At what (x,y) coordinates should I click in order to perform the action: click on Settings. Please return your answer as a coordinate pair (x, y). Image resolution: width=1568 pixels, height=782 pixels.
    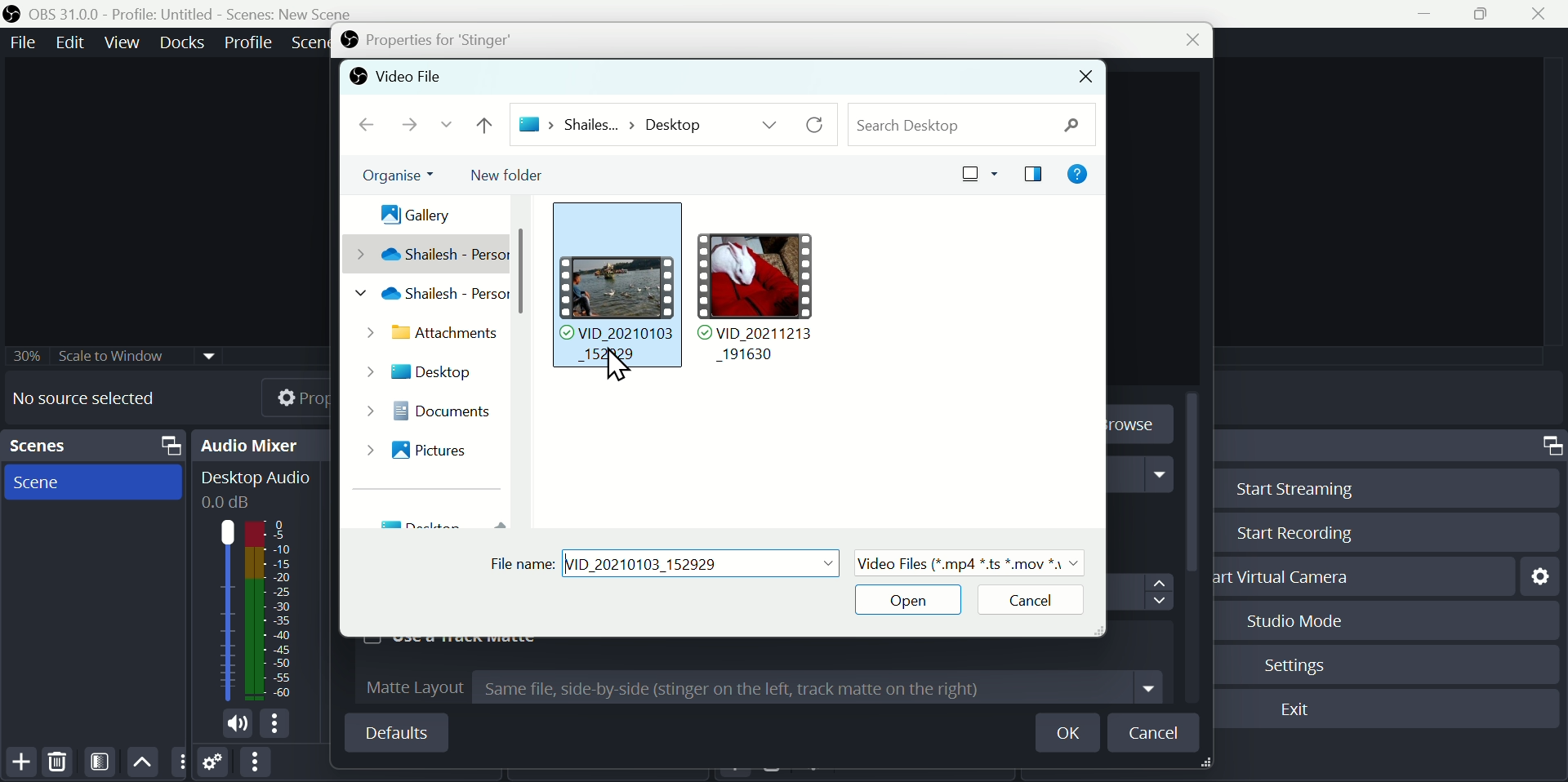
    Looking at the image, I should click on (1301, 663).